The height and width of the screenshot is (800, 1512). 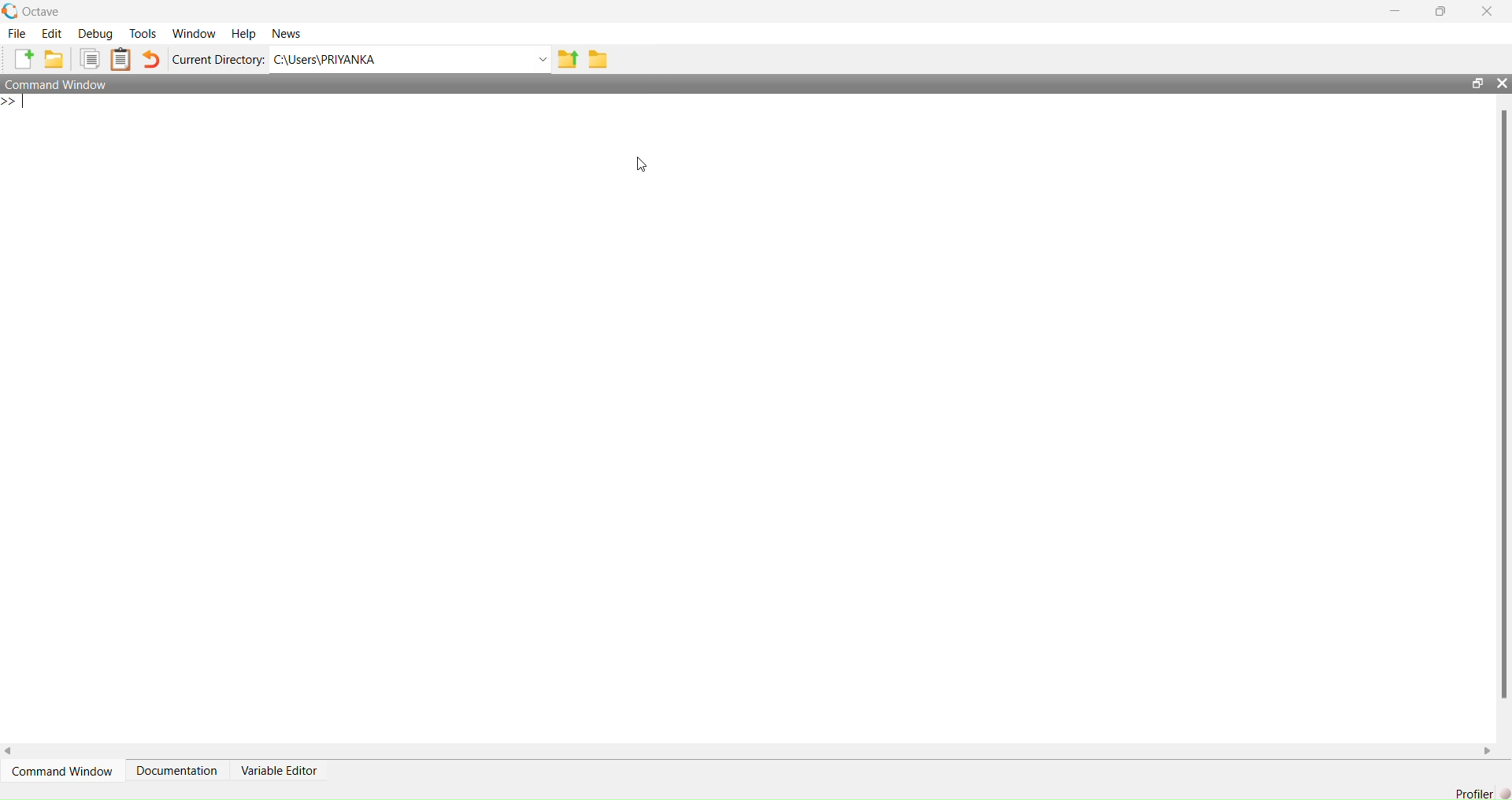 I want to click on Current Directory:, so click(x=217, y=61).